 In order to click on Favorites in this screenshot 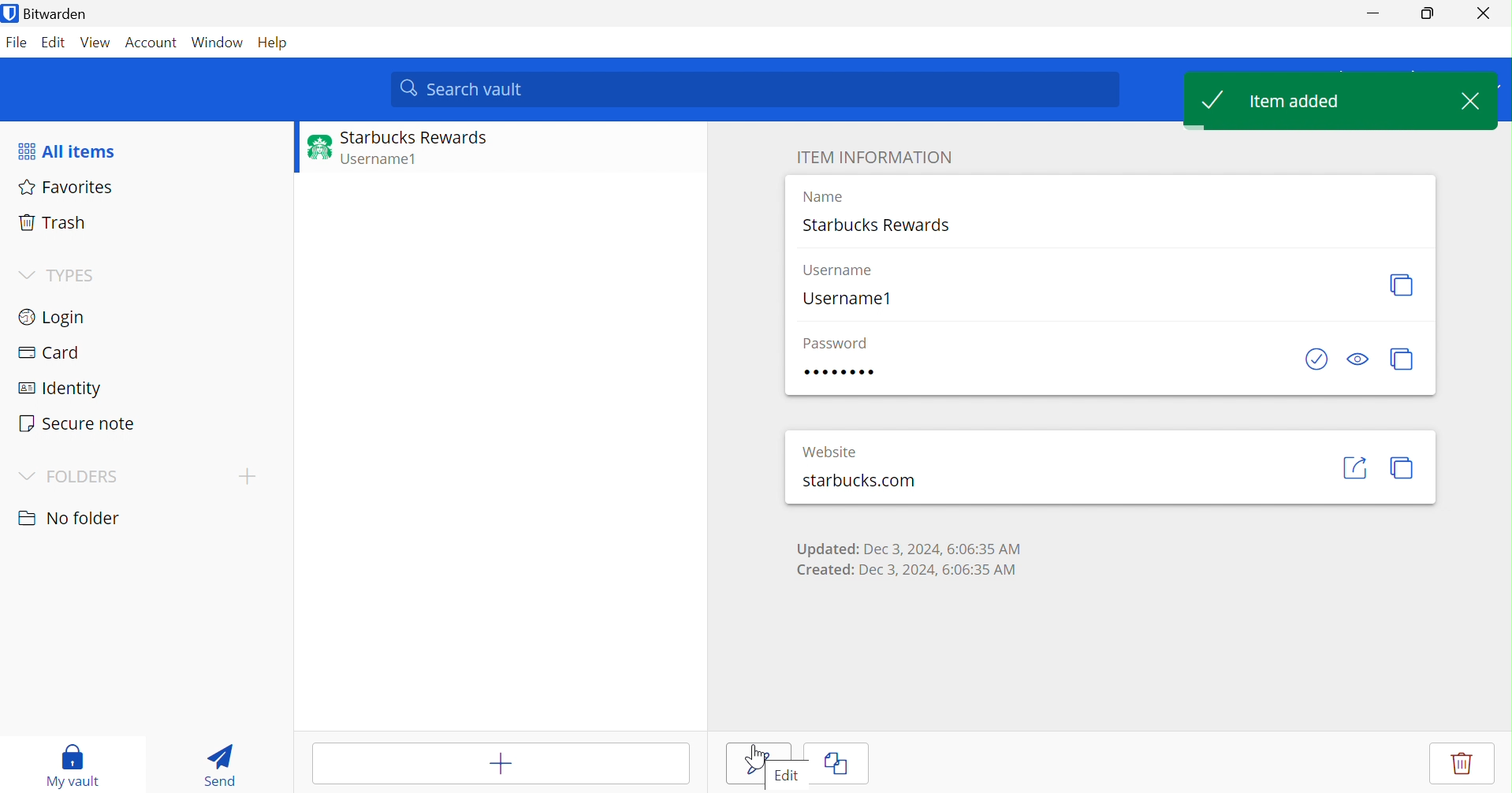, I will do `click(67, 188)`.